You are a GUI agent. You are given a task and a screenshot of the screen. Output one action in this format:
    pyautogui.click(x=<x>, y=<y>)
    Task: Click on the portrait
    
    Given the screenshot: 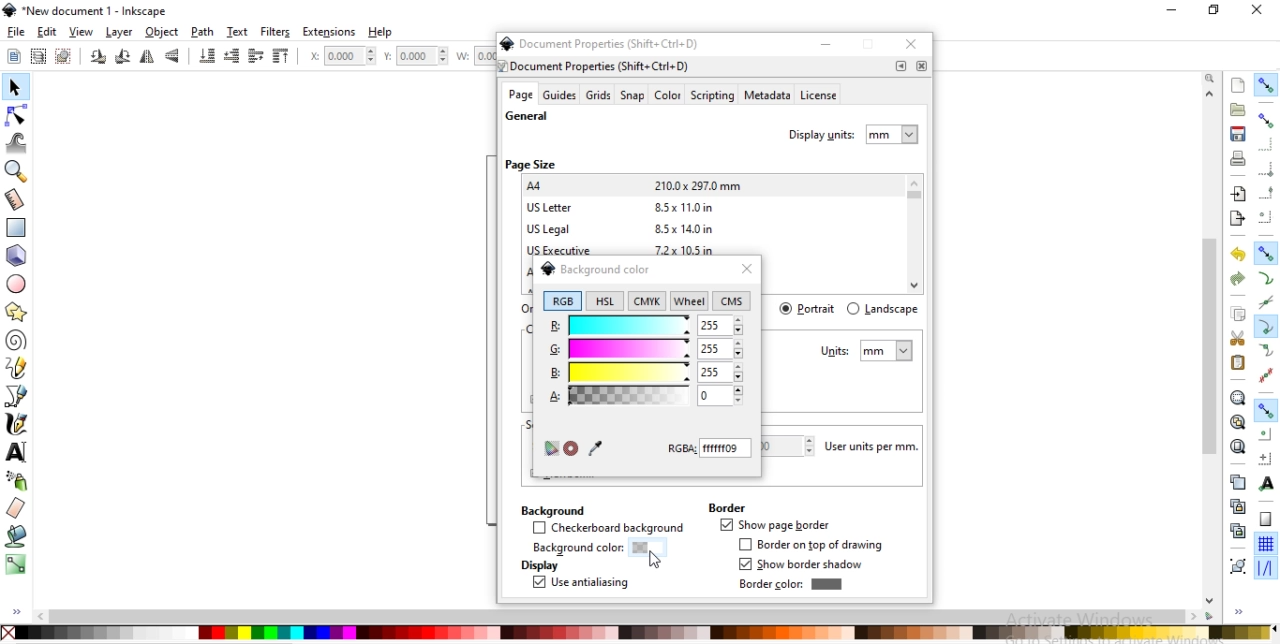 What is the action you would take?
    pyautogui.click(x=809, y=308)
    